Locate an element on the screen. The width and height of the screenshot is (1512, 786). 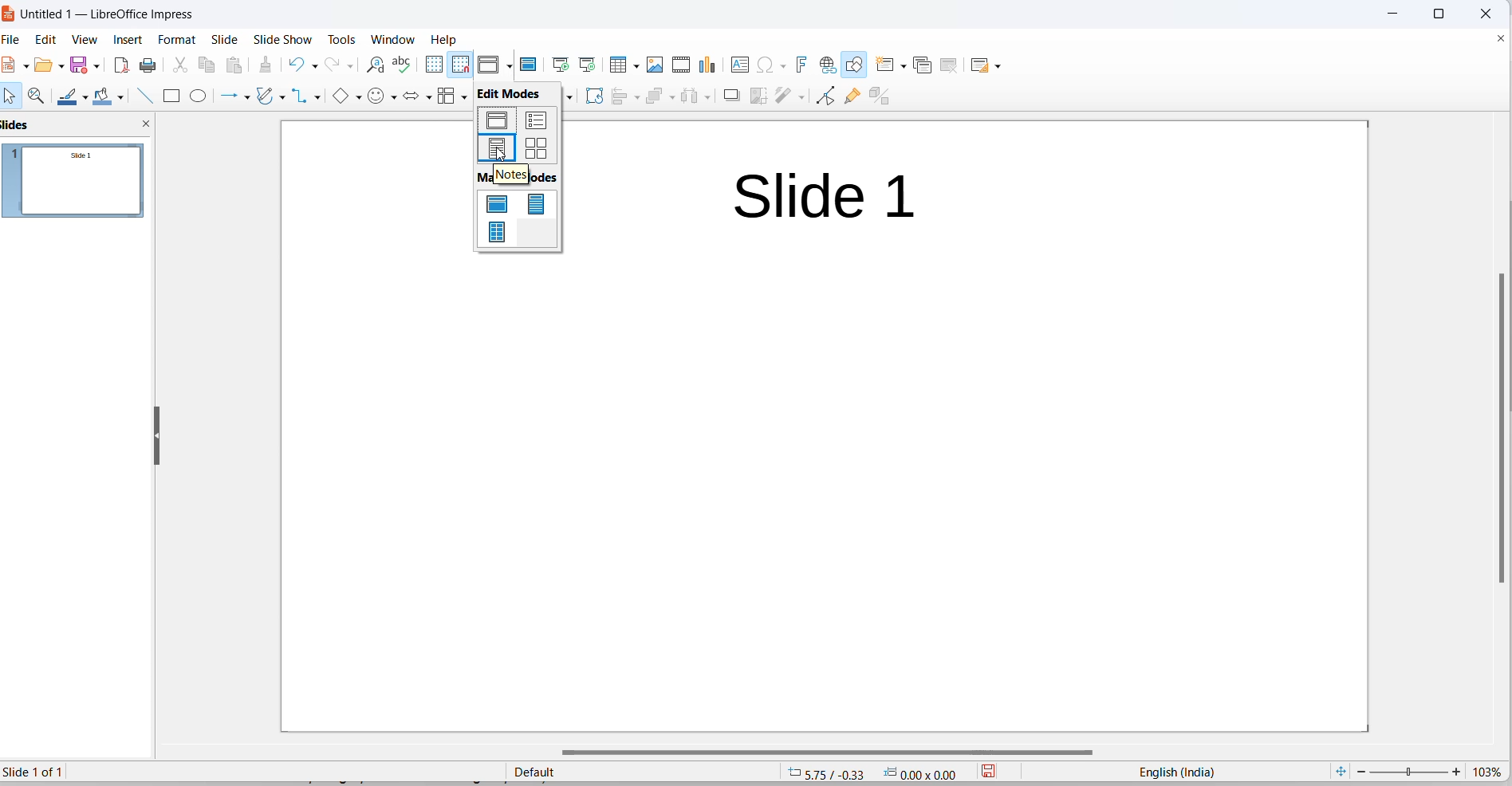
fit current slide to windows is located at coordinates (1342, 771).